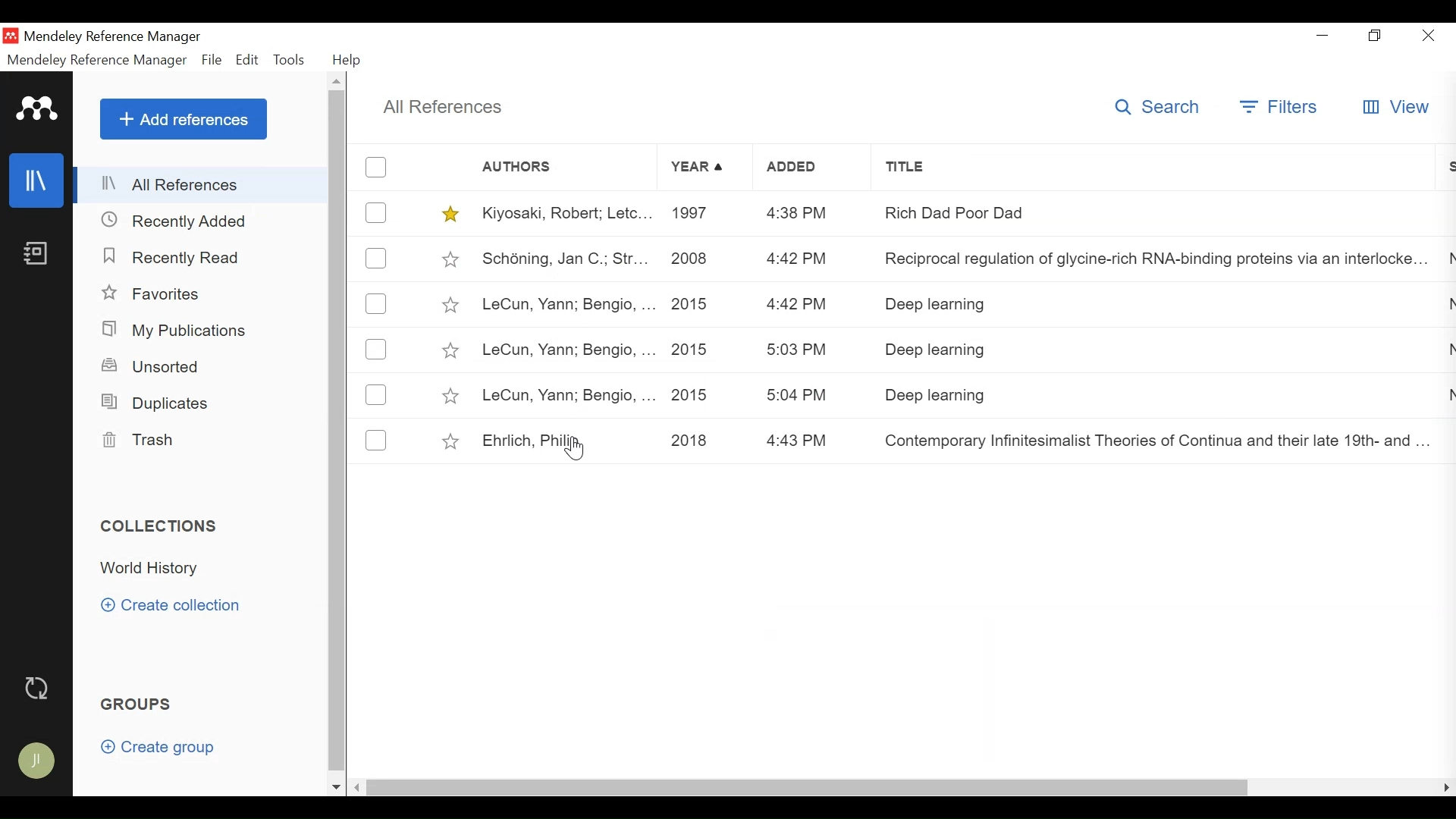  What do you see at coordinates (799, 352) in the screenshot?
I see `5:03 PM` at bounding box center [799, 352].